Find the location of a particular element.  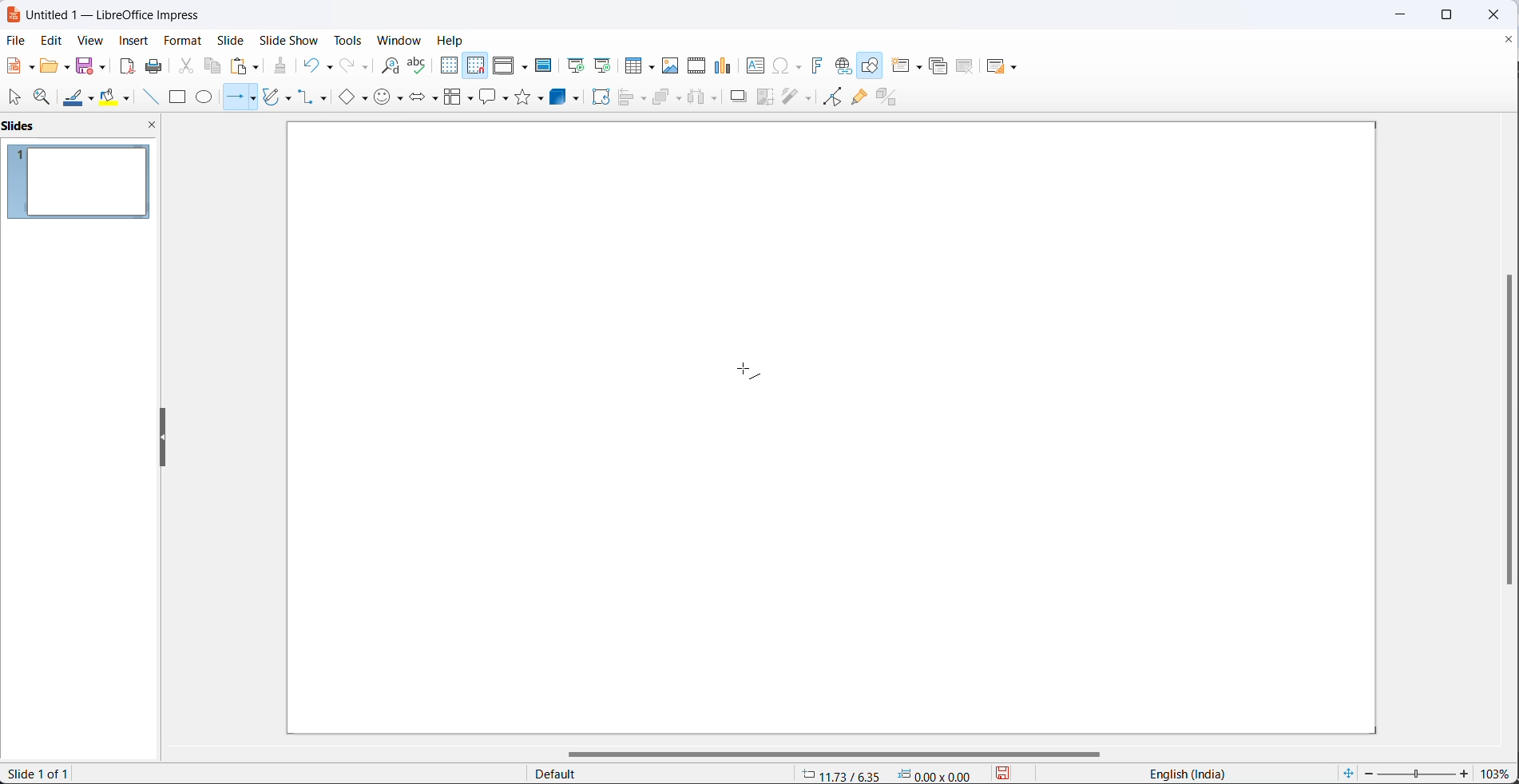

delete slide  is located at coordinates (965, 67).